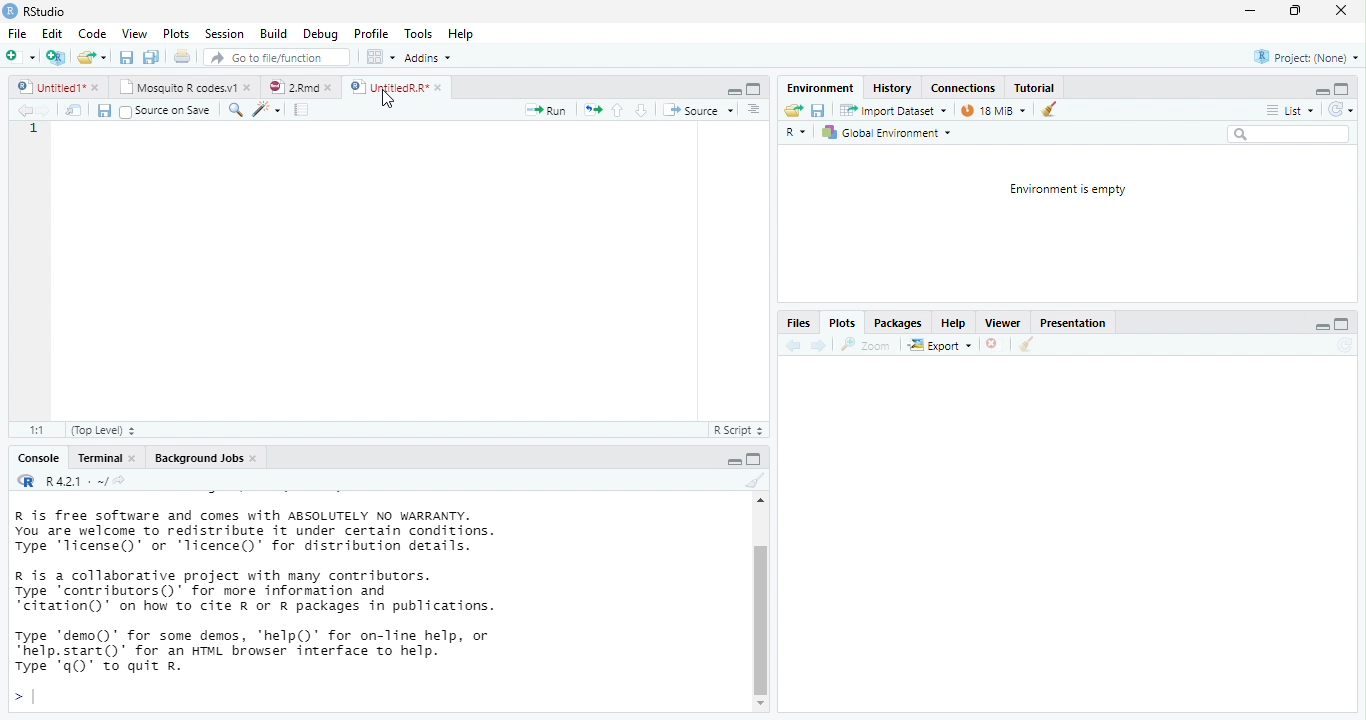 This screenshot has height=720, width=1366. Describe the element at coordinates (840, 325) in the screenshot. I see `Plots` at that location.